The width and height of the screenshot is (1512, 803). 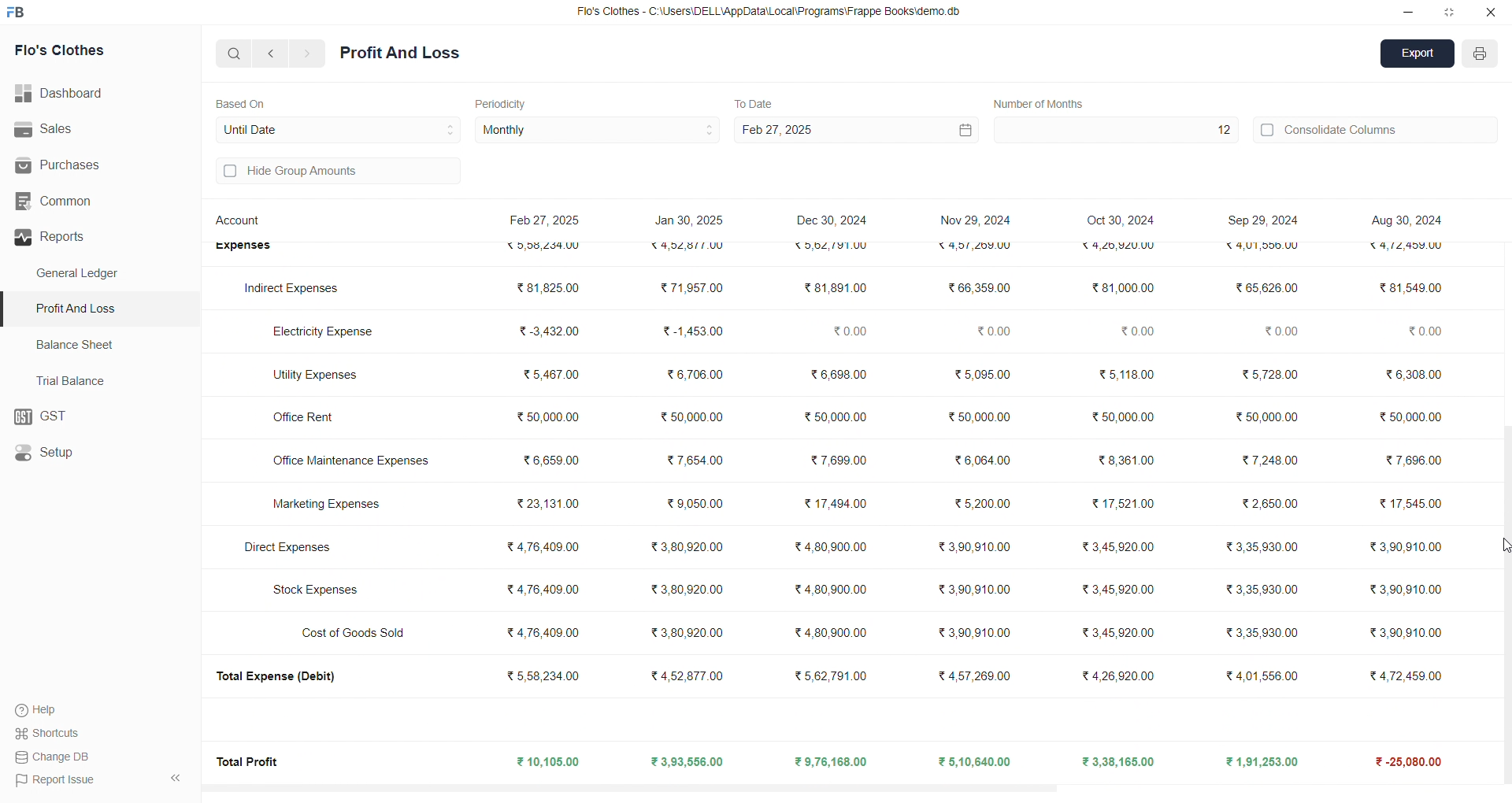 I want to click on Total Profit, so click(x=250, y=760).